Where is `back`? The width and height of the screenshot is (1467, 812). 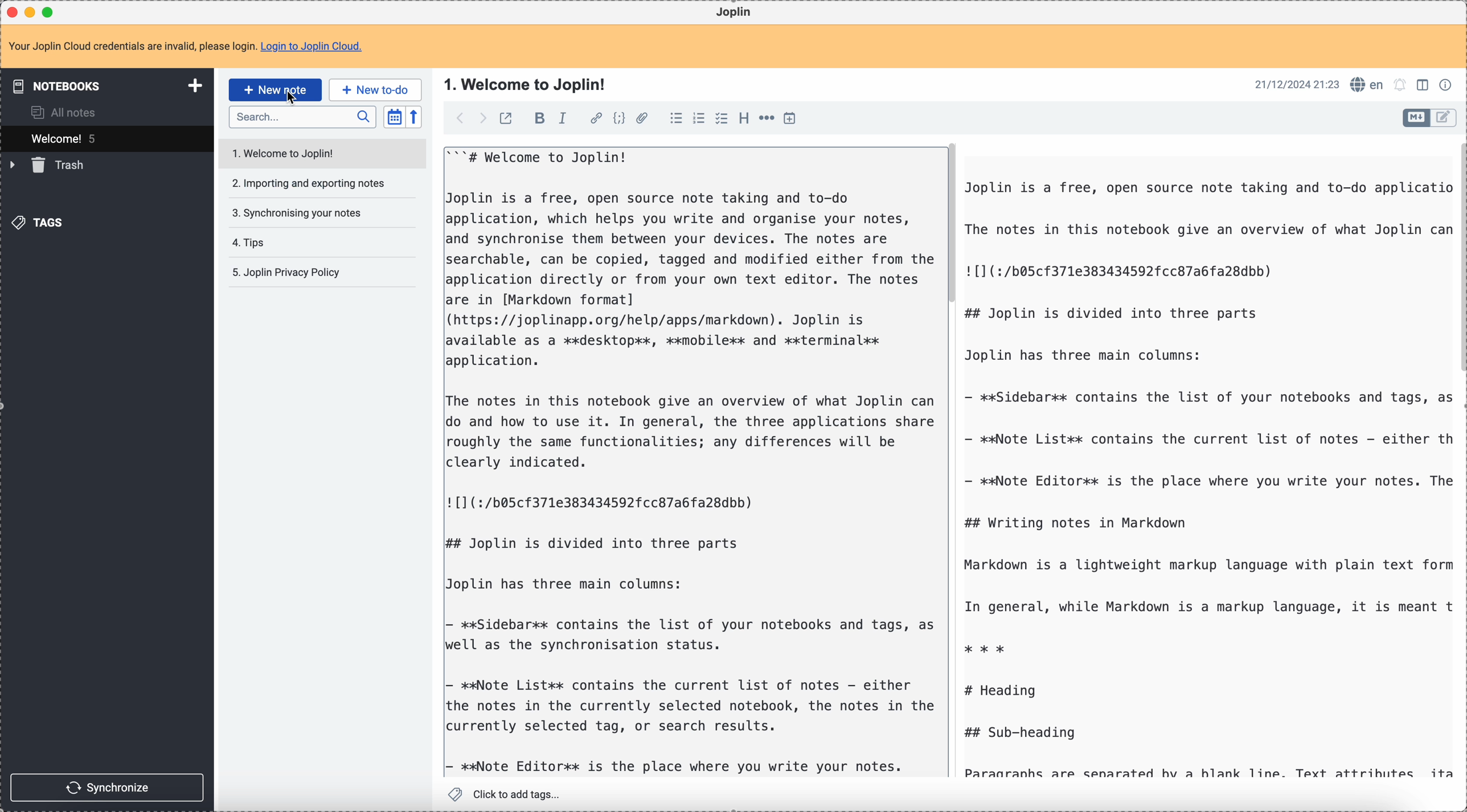 back is located at coordinates (460, 118).